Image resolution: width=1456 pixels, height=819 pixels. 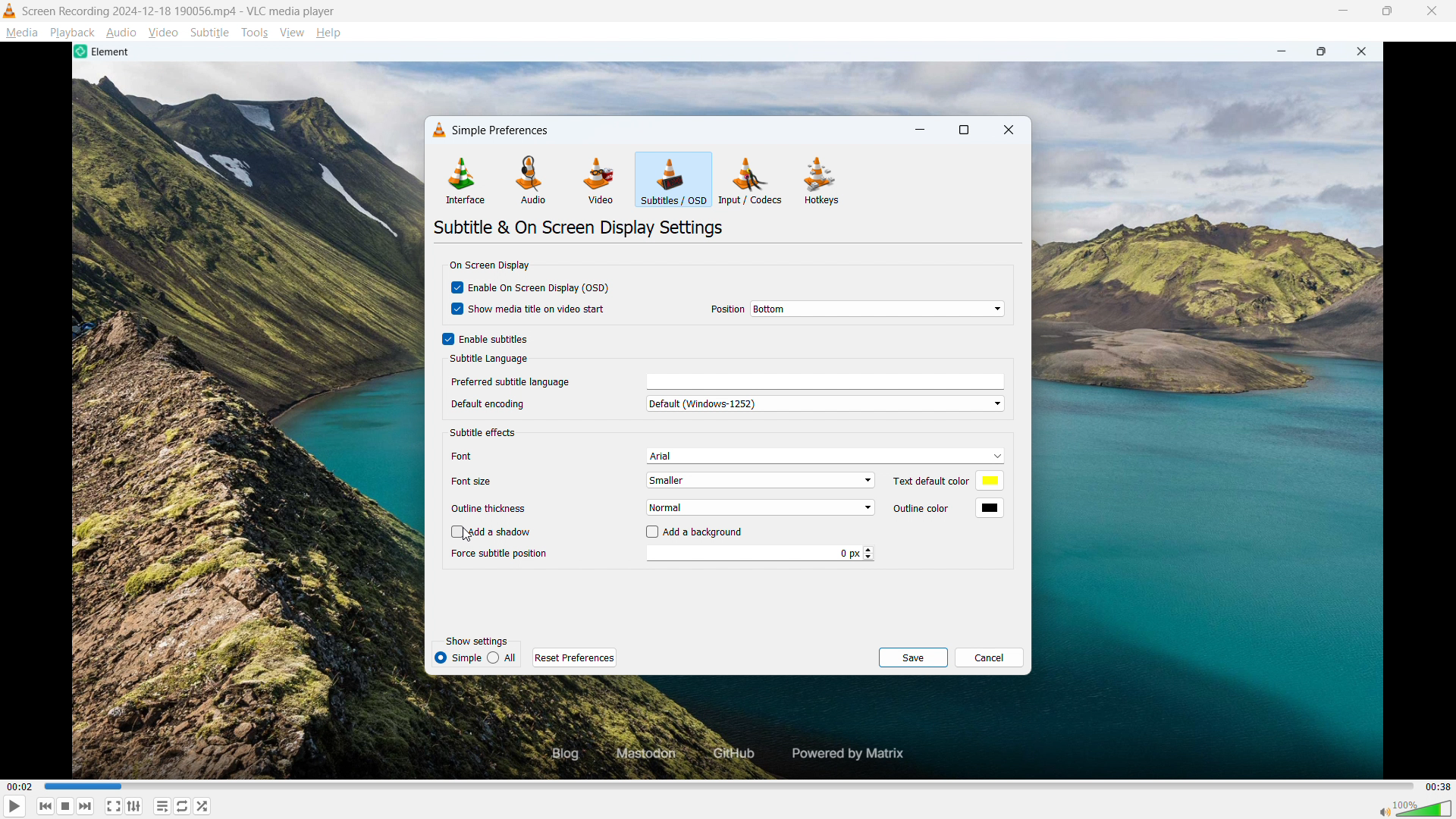 I want to click on Maximize, so click(x=1322, y=52).